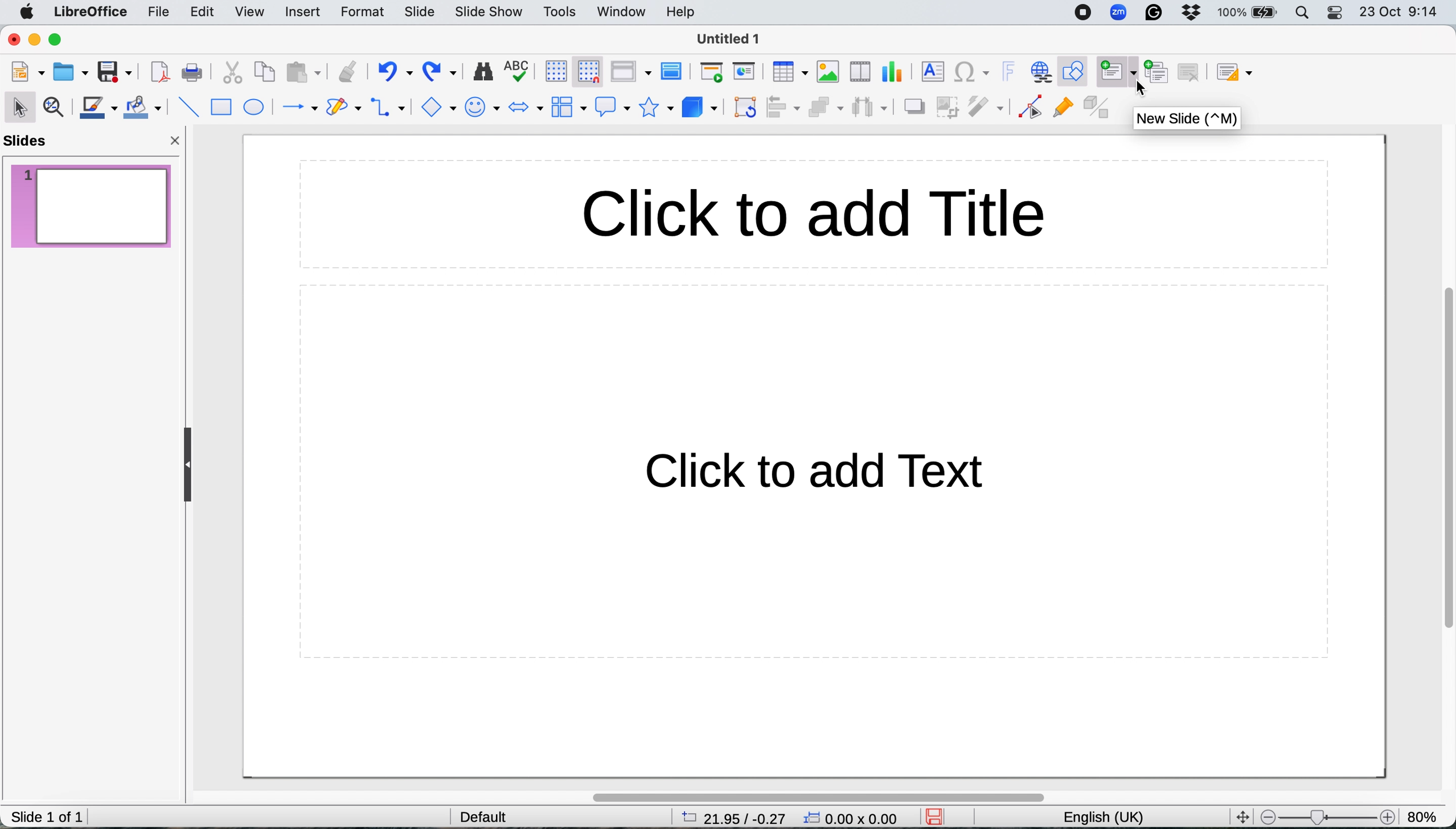 This screenshot has width=1456, height=829. Describe the element at coordinates (1400, 14) in the screenshot. I see `date and time` at that location.